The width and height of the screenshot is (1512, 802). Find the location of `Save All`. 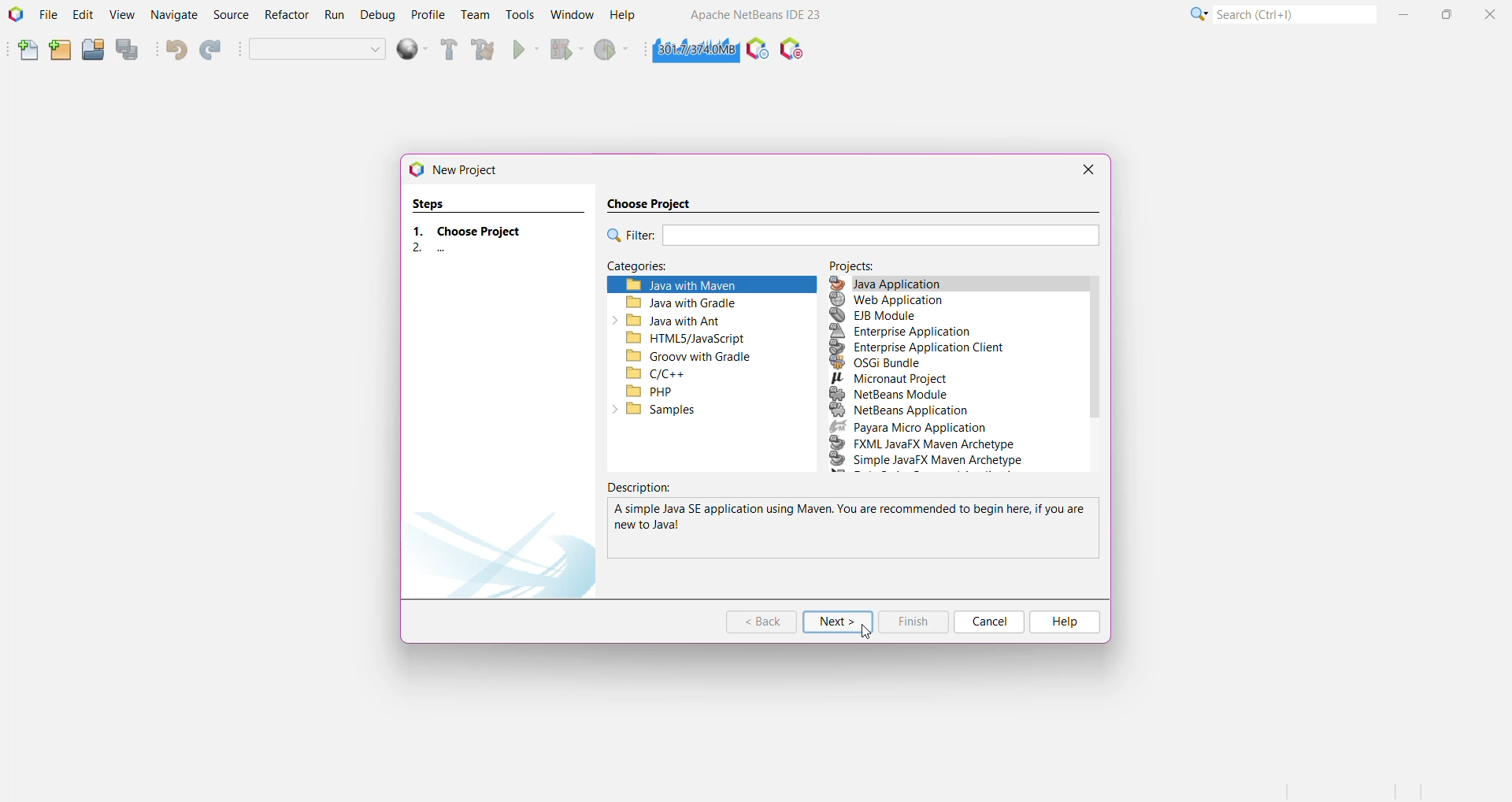

Save All is located at coordinates (129, 50).